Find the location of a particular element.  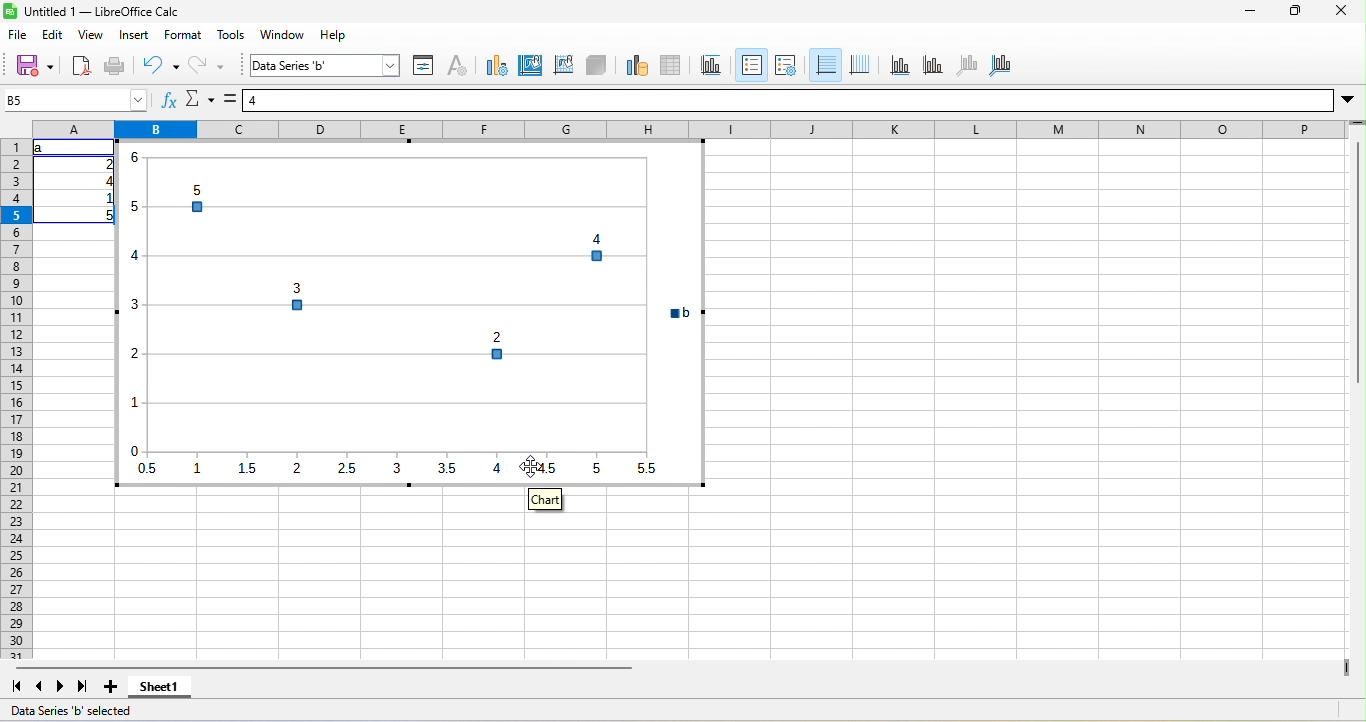

data table is located at coordinates (671, 67).